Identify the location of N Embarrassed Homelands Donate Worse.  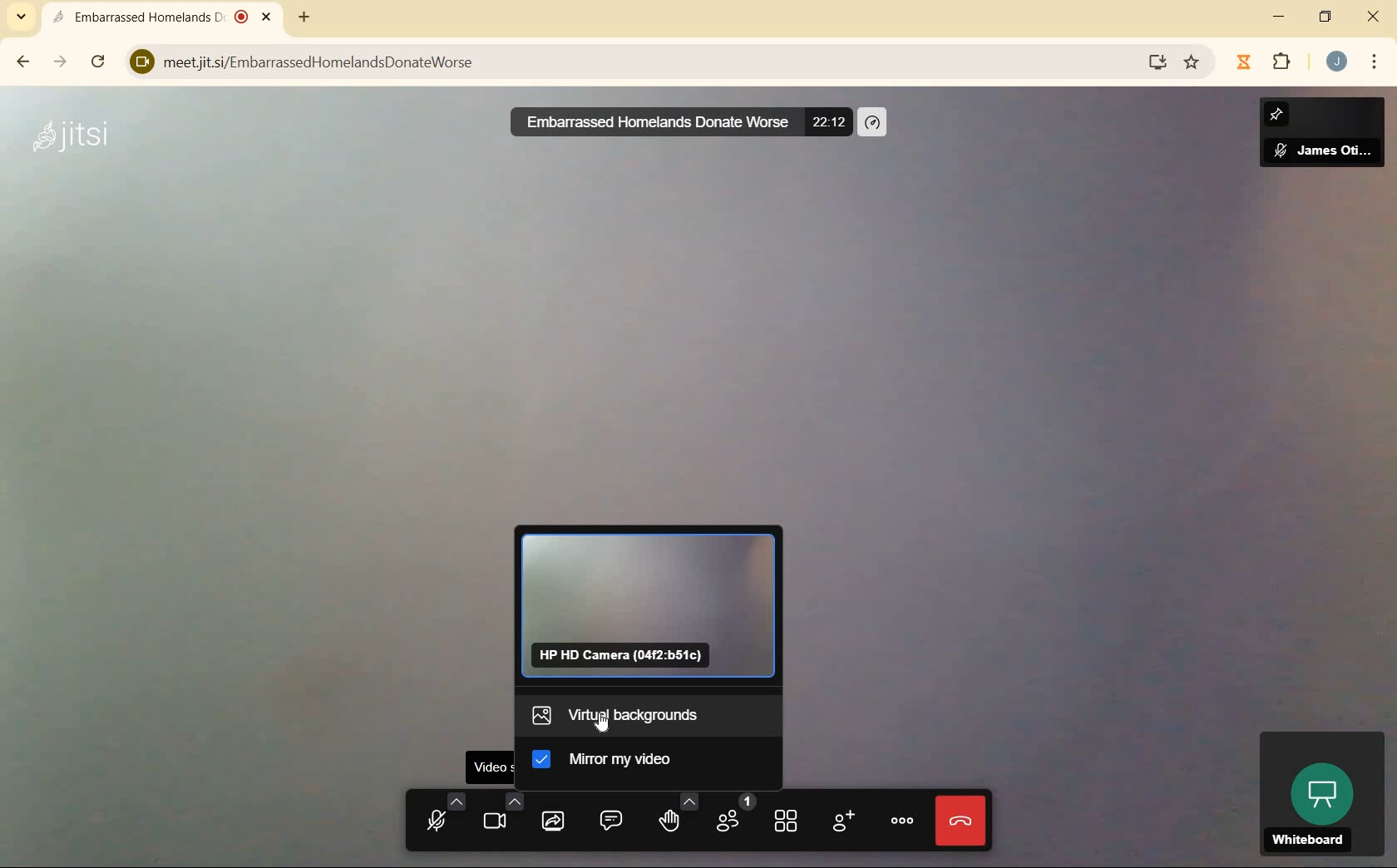
(646, 121).